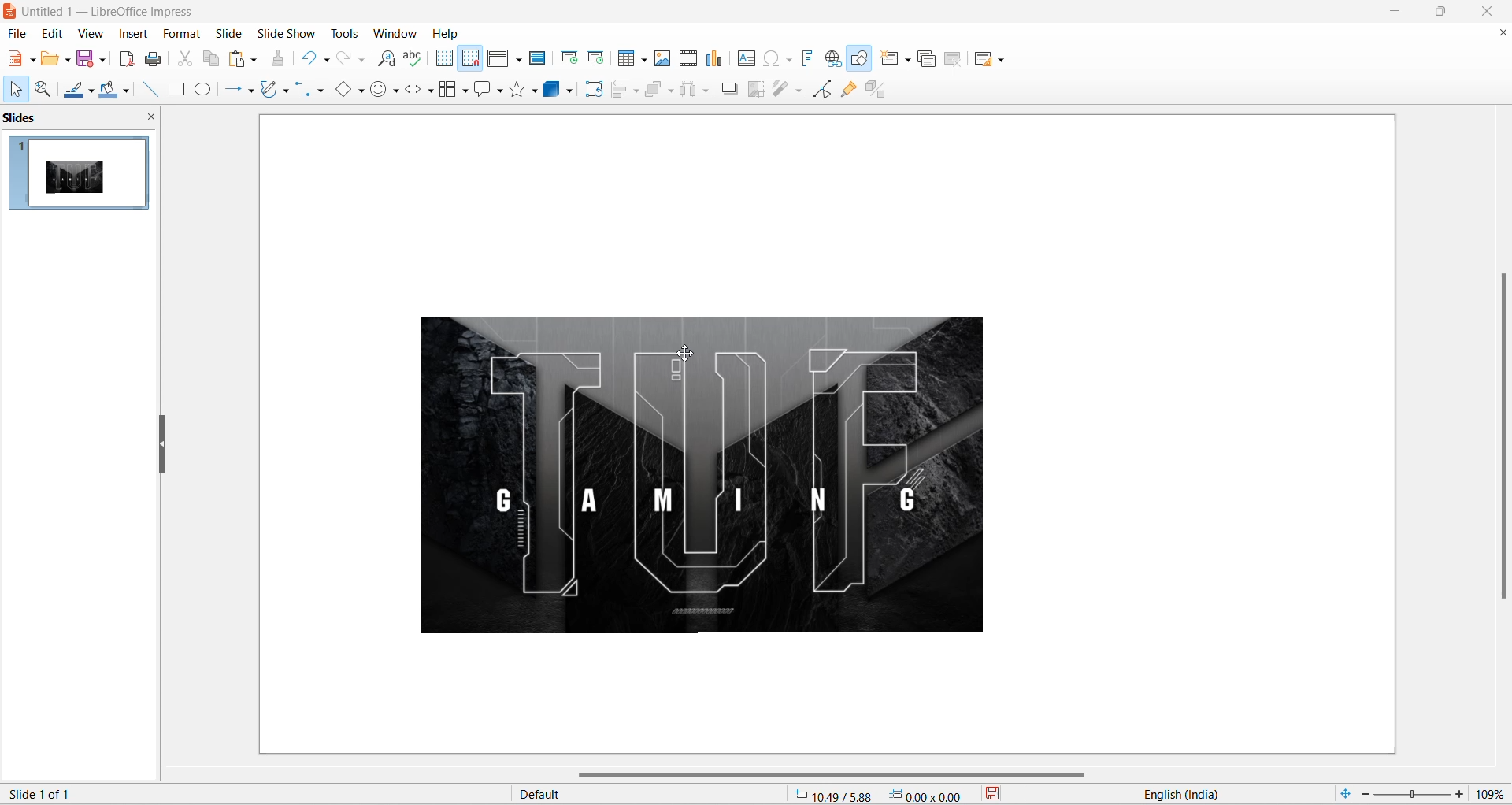 This screenshot has height=805, width=1512. Describe the element at coordinates (46, 793) in the screenshot. I see `current slide` at that location.